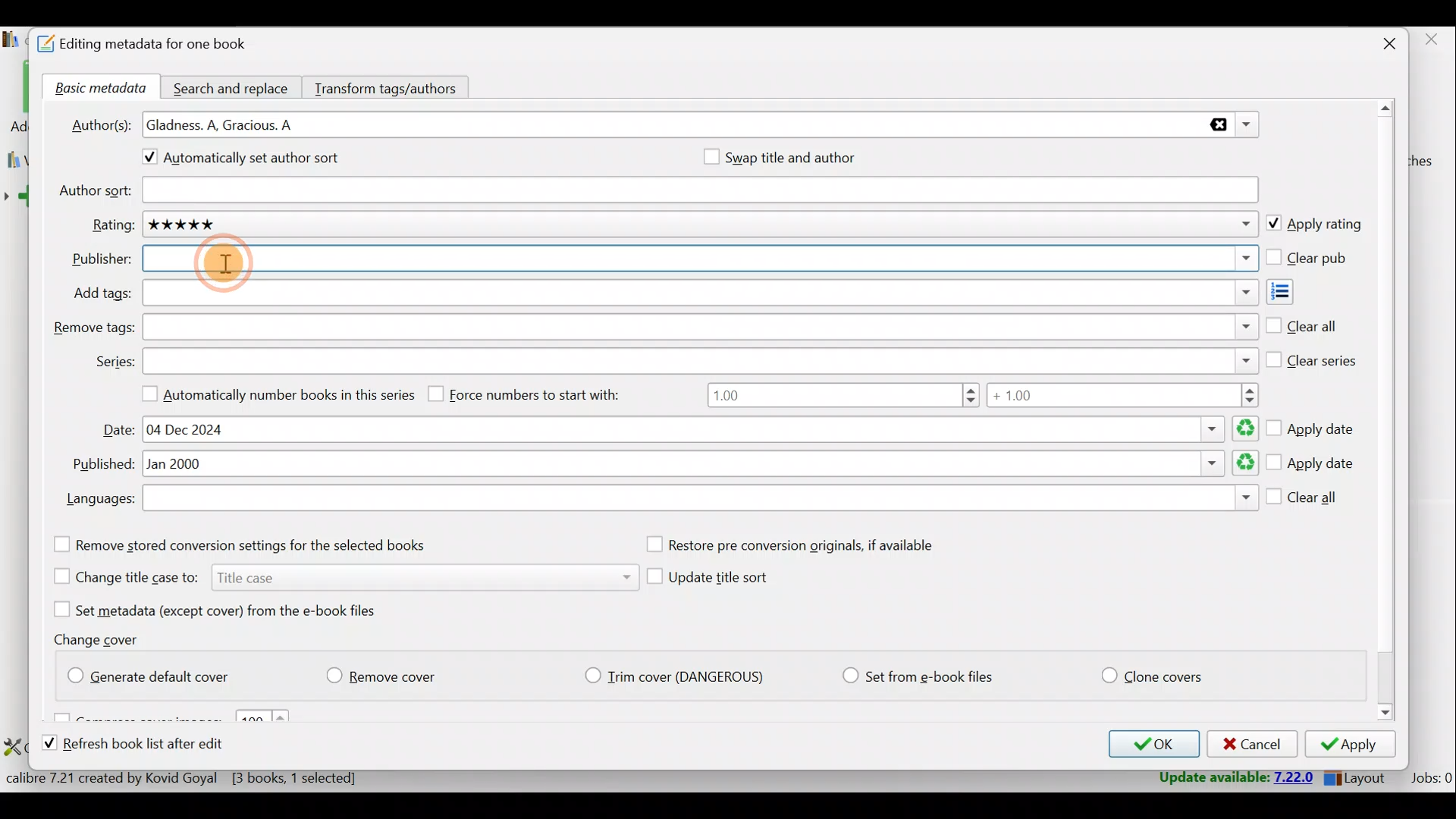 The image size is (1456, 819). Describe the element at coordinates (253, 160) in the screenshot. I see `Automatically set author sort` at that location.